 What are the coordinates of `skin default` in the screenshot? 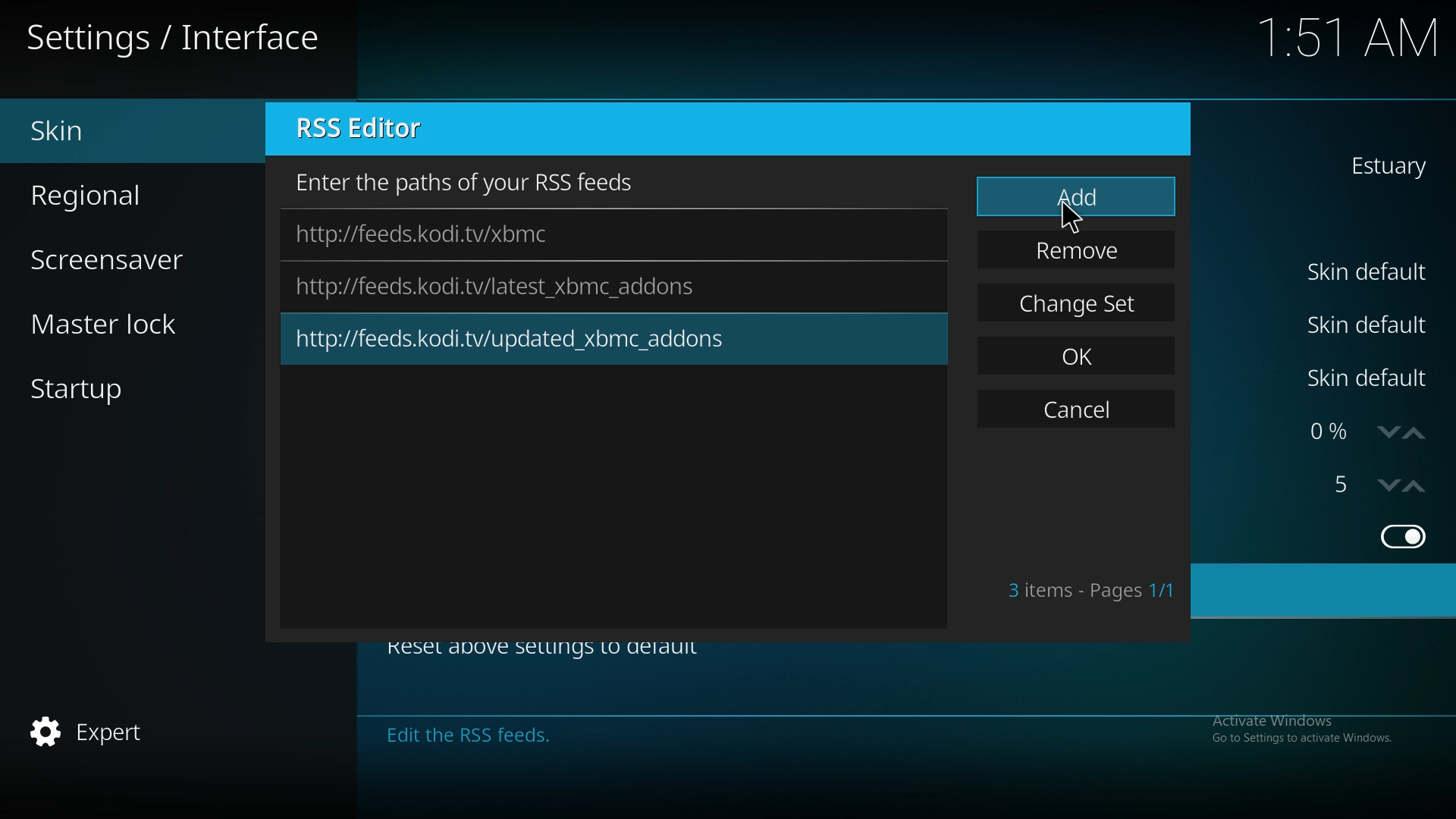 It's located at (1370, 378).